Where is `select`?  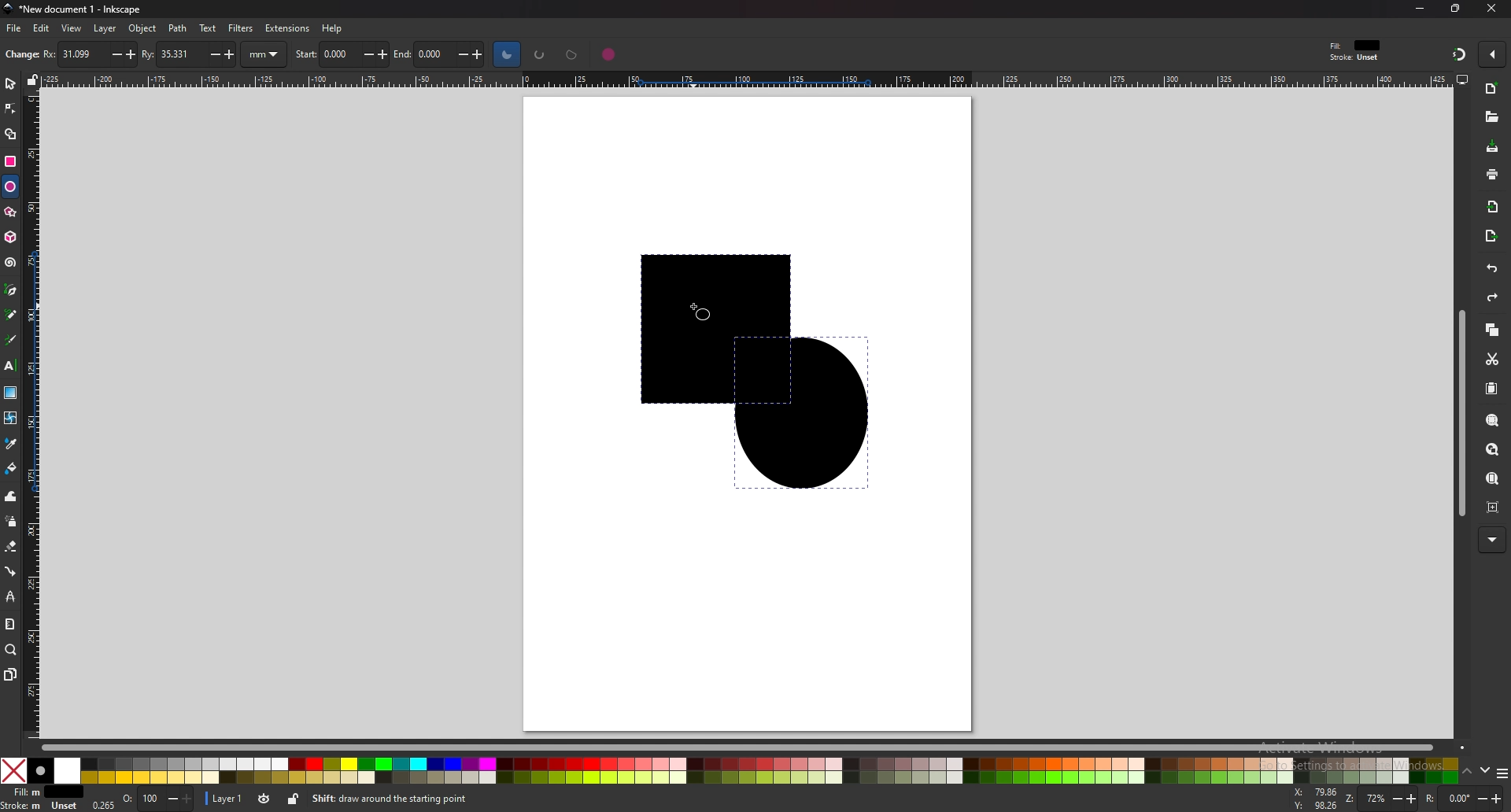
select is located at coordinates (10, 82).